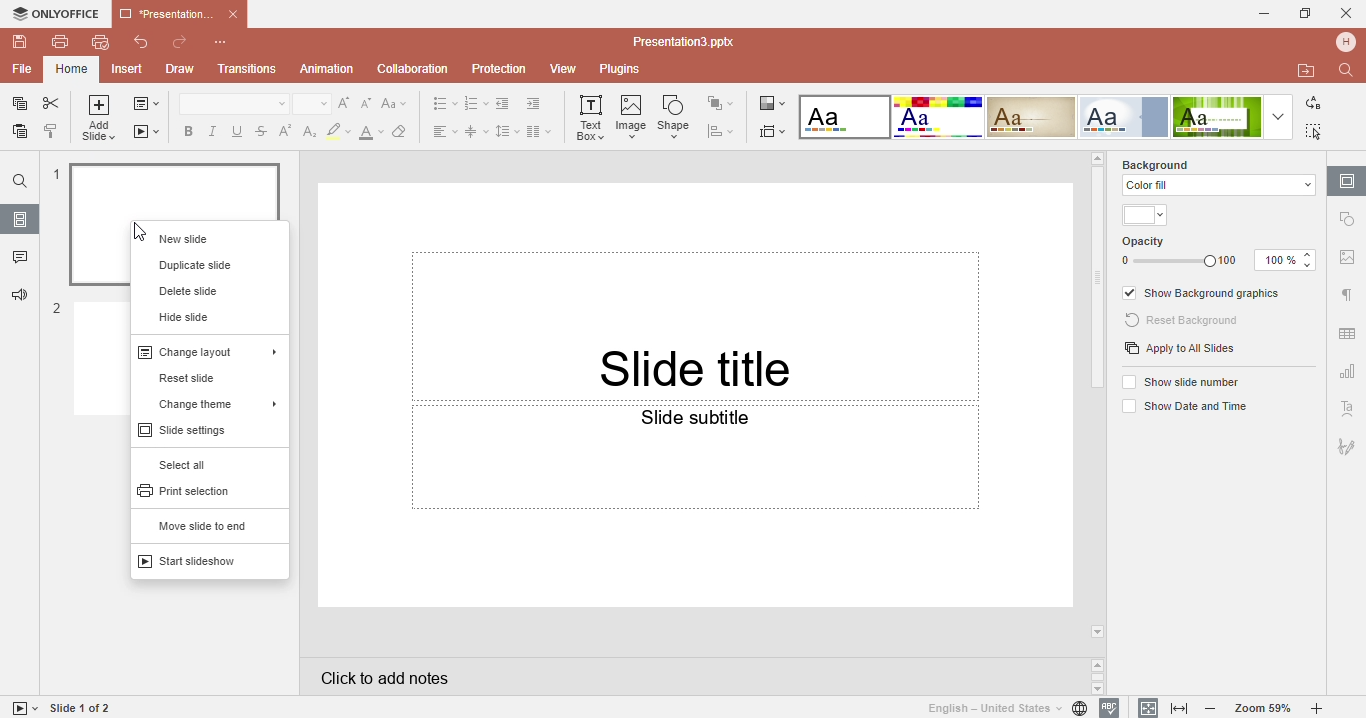 The image size is (1366, 718). I want to click on Paragraph settings, so click(1346, 295).